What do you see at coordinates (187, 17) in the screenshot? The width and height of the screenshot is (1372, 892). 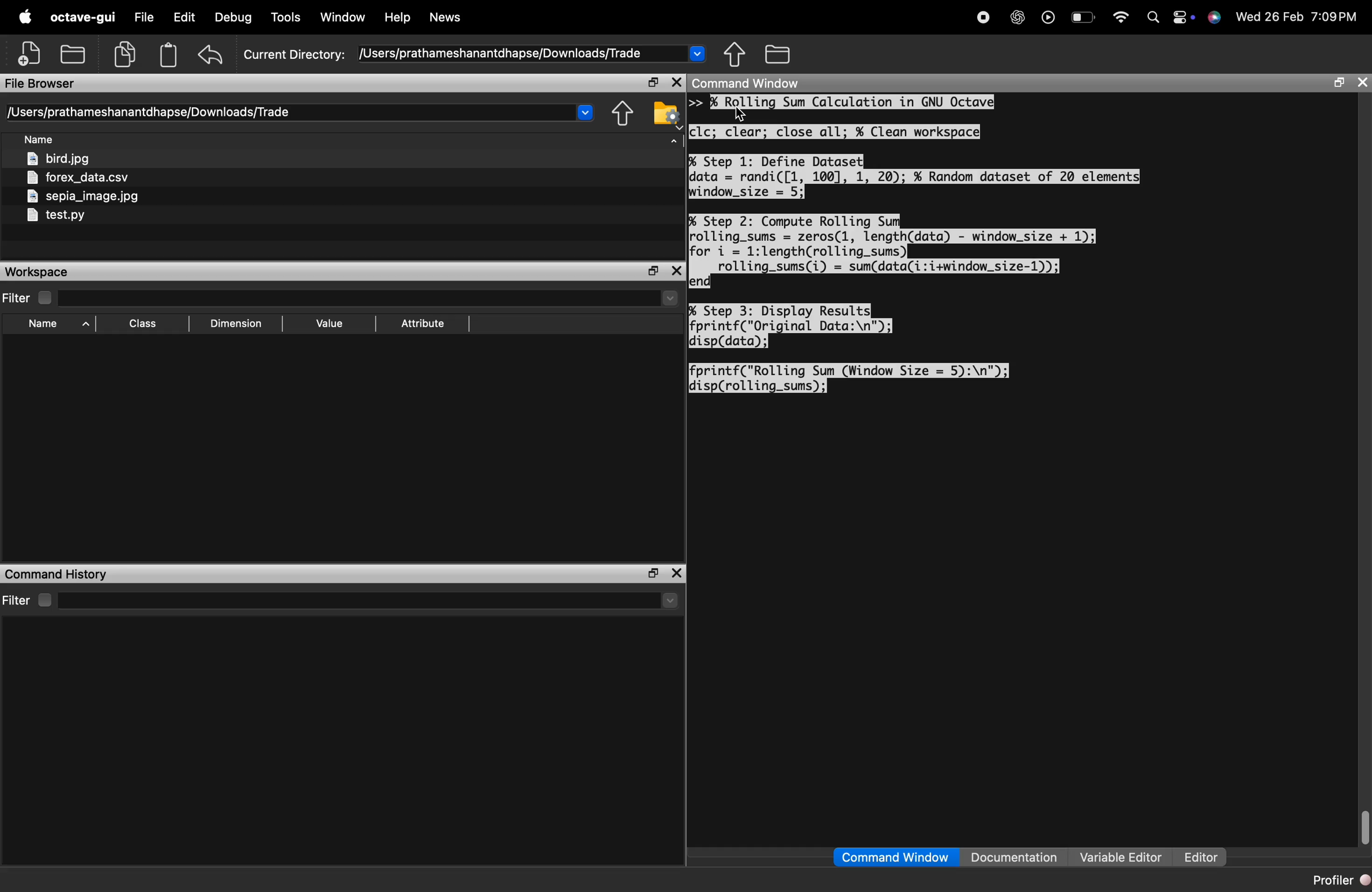 I see `edit` at bounding box center [187, 17].